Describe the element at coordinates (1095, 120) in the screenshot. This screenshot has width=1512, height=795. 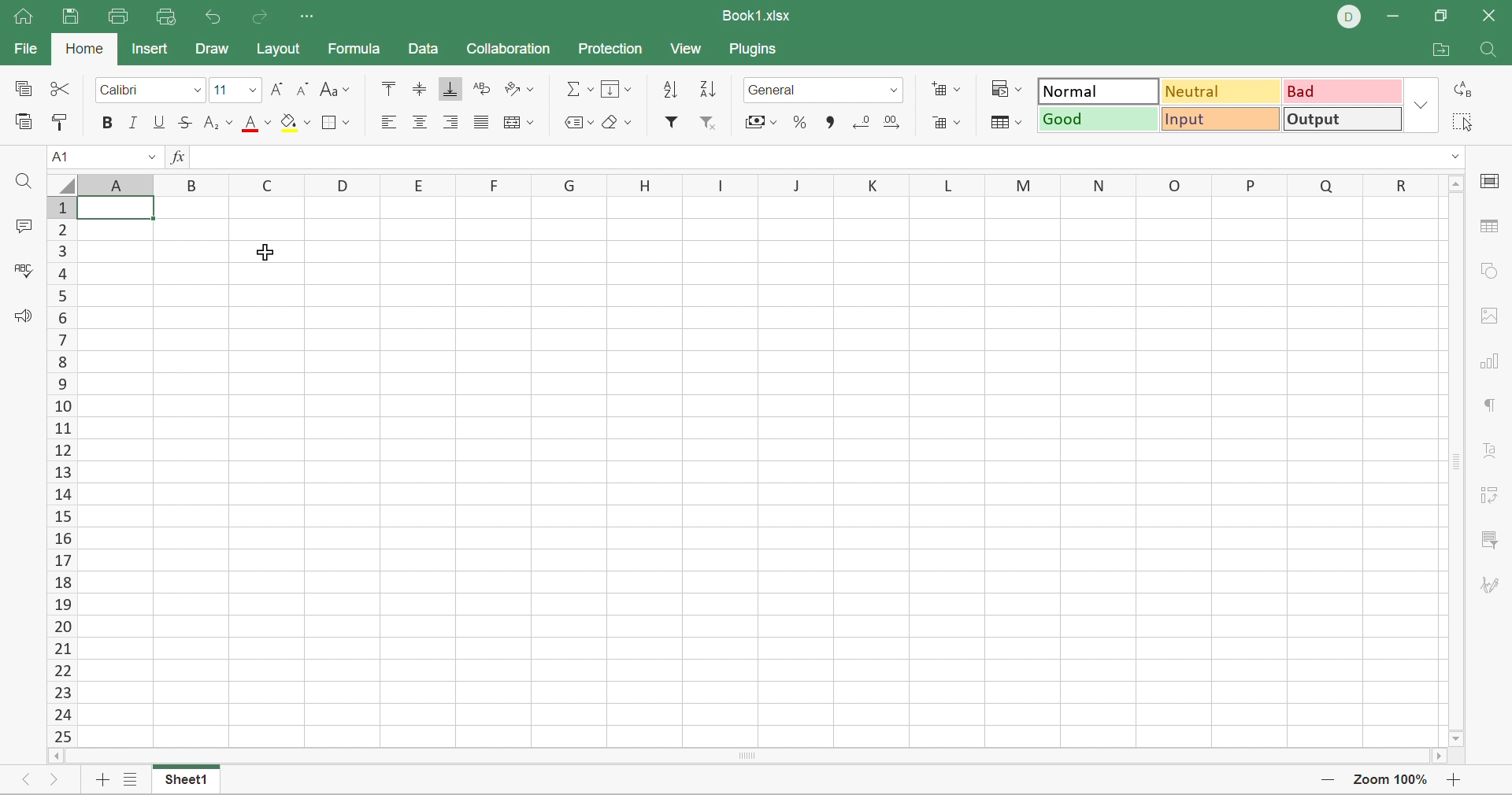
I see `Good` at that location.